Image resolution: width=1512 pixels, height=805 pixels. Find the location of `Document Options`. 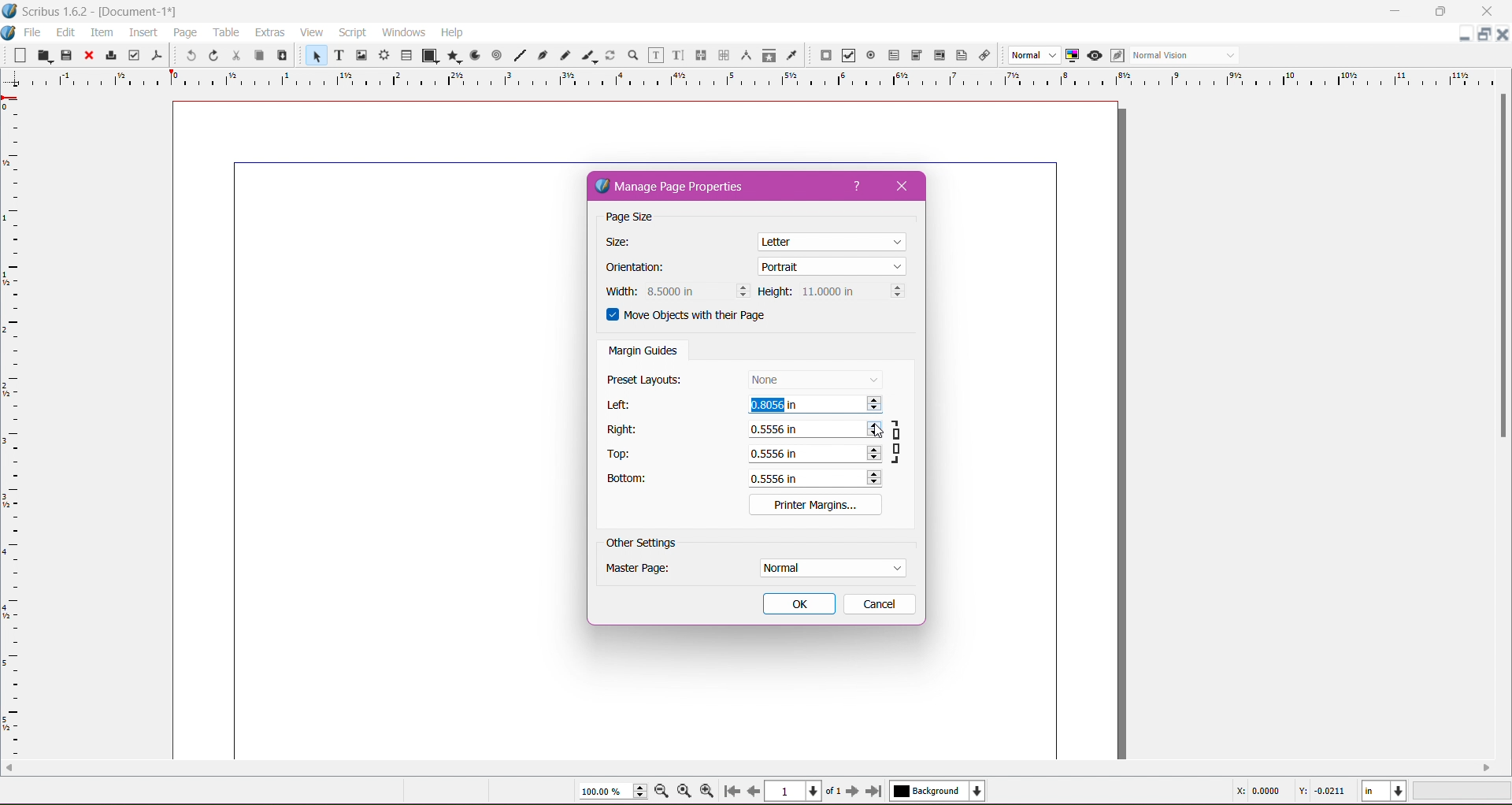

Document Options is located at coordinates (9, 31).